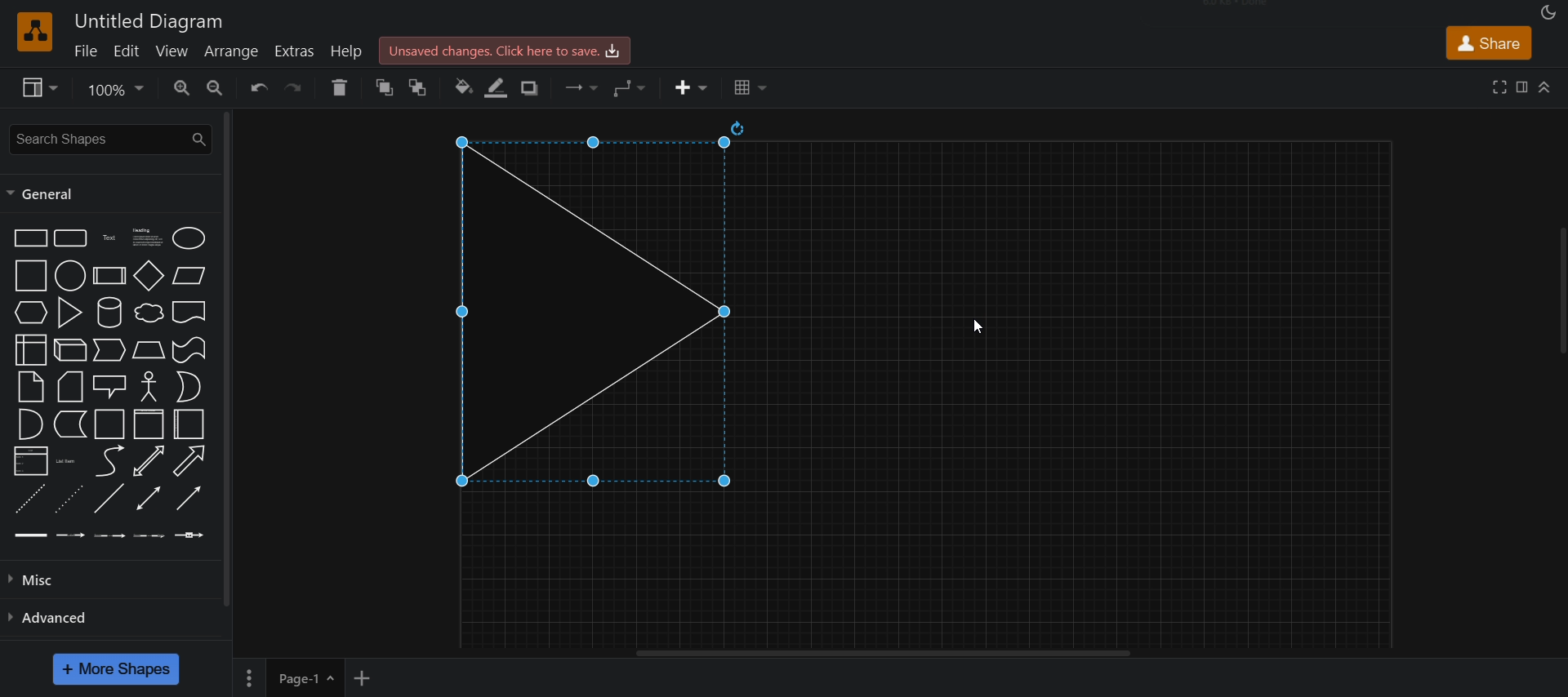 The image size is (1568, 697). What do you see at coordinates (149, 275) in the screenshot?
I see `diamond` at bounding box center [149, 275].